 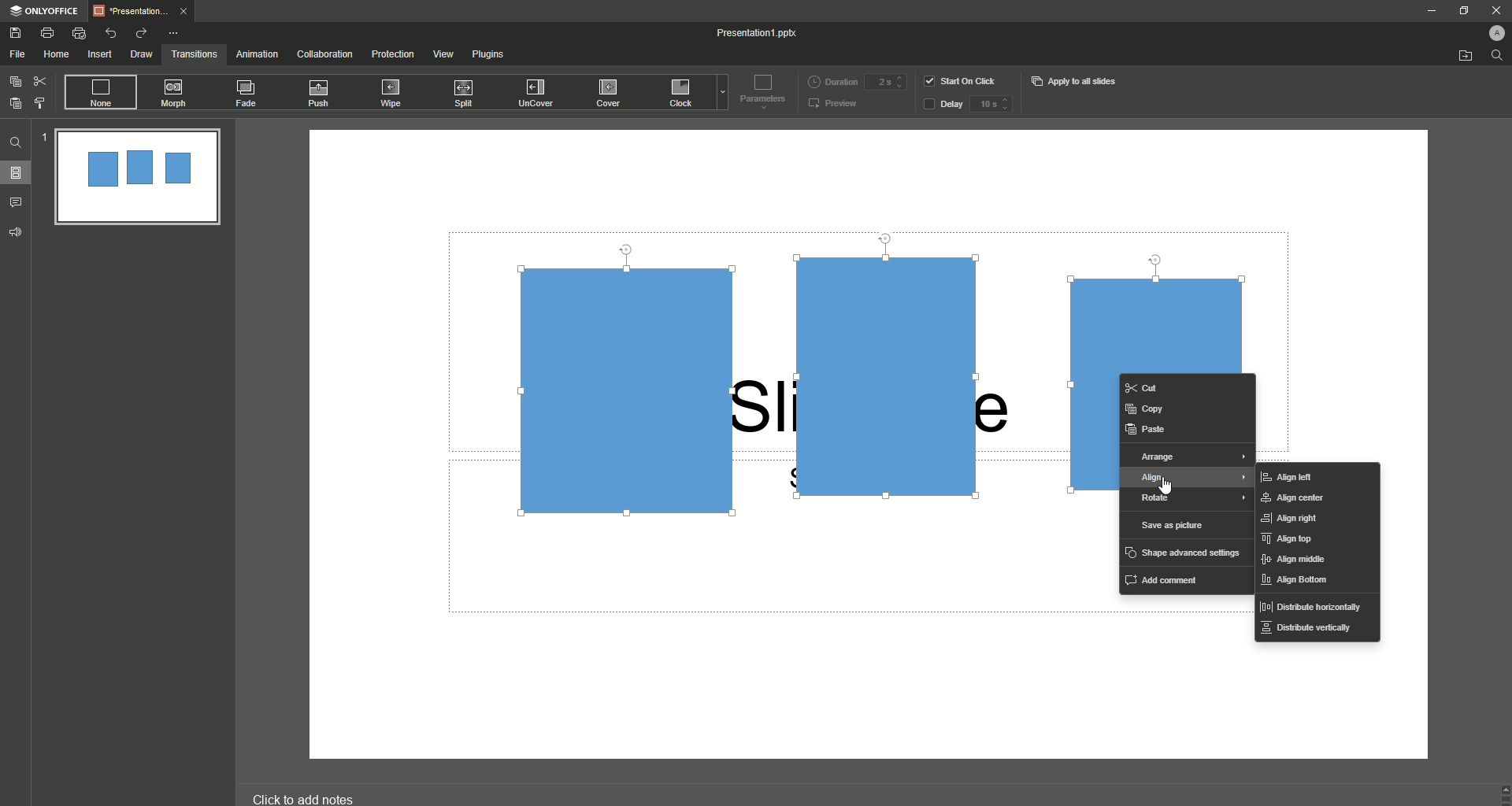 I want to click on Parameters, so click(x=759, y=91).